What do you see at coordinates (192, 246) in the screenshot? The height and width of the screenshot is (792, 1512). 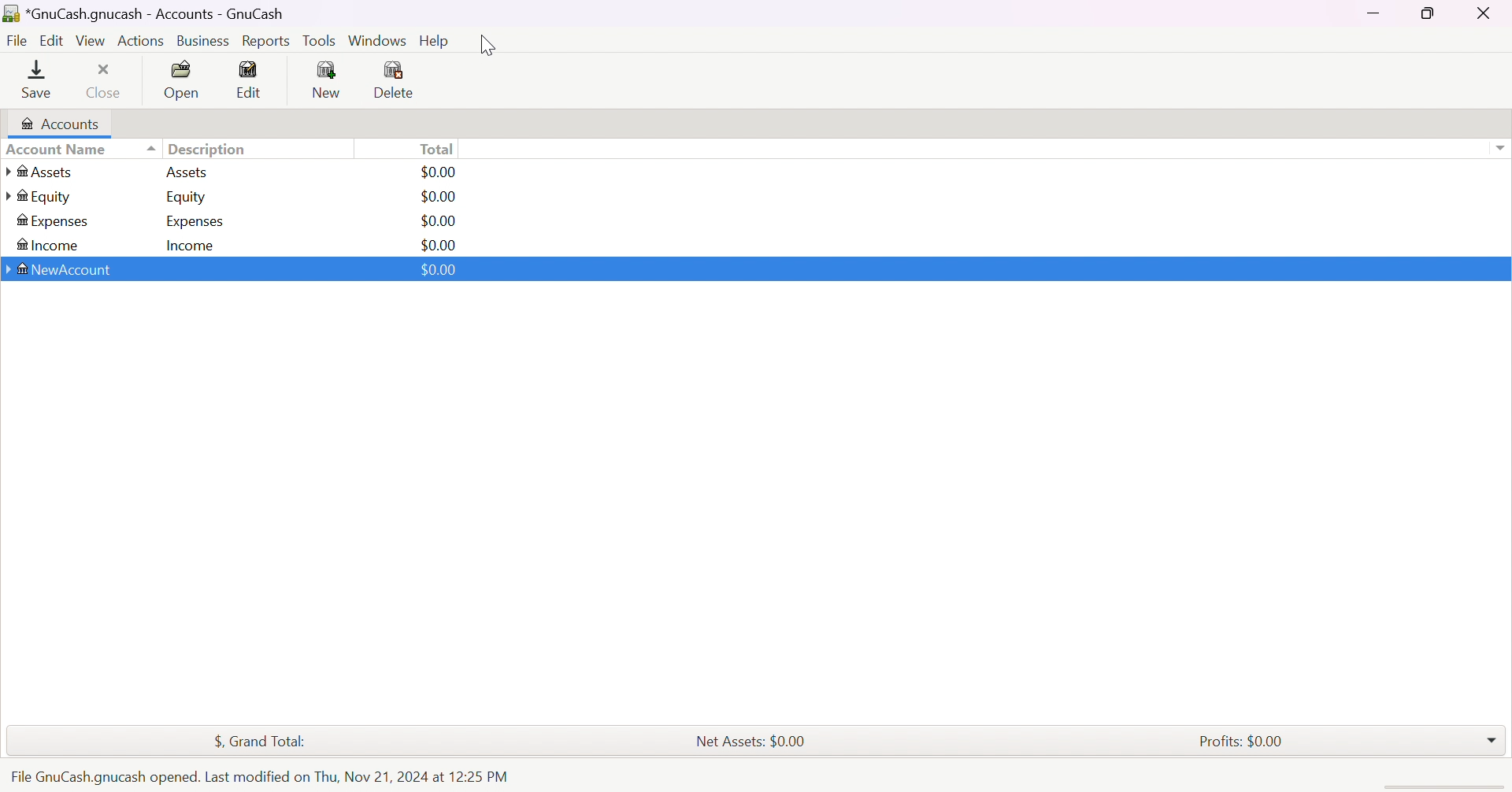 I see `Income` at bounding box center [192, 246].